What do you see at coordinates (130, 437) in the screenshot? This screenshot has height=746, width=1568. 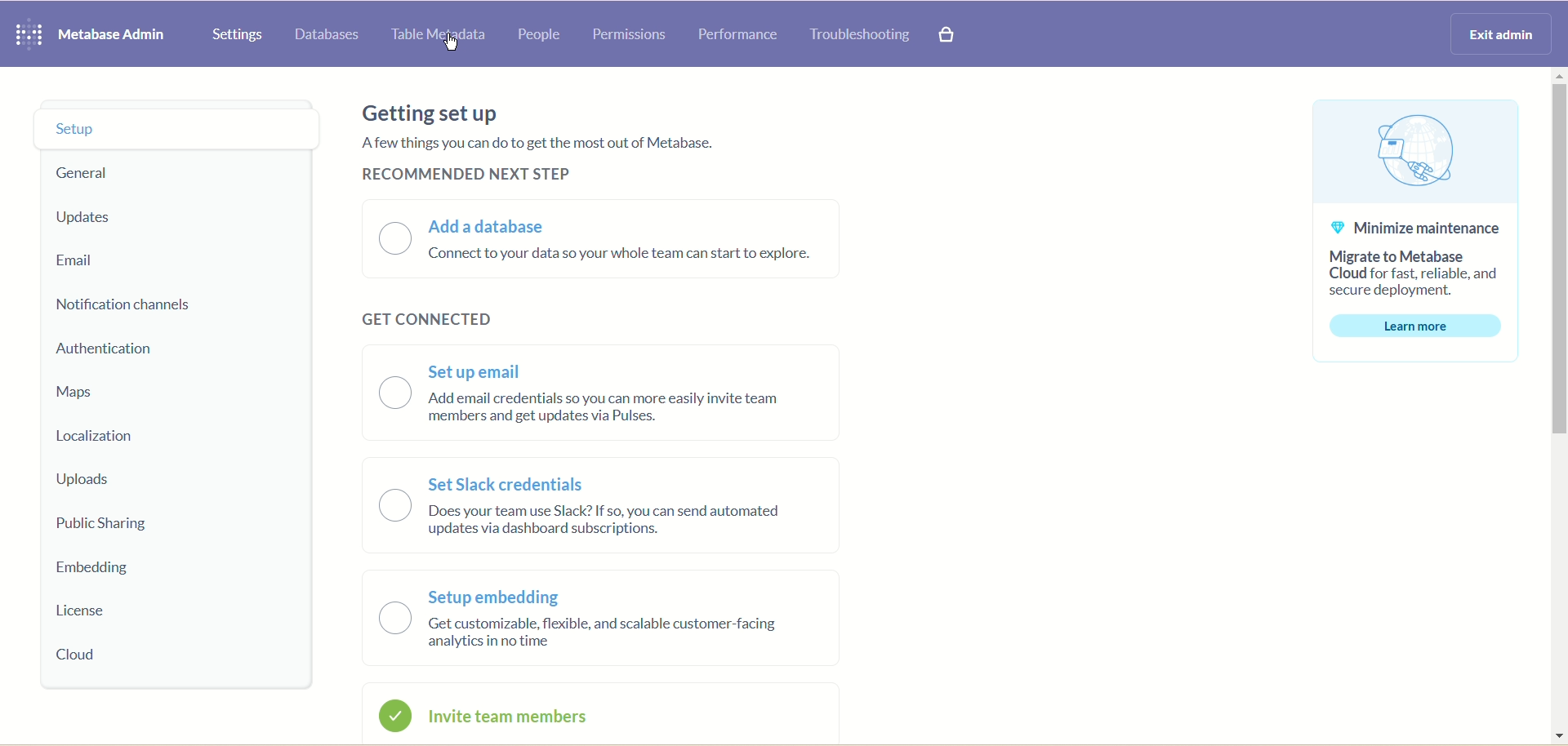 I see `Localization` at bounding box center [130, 437].